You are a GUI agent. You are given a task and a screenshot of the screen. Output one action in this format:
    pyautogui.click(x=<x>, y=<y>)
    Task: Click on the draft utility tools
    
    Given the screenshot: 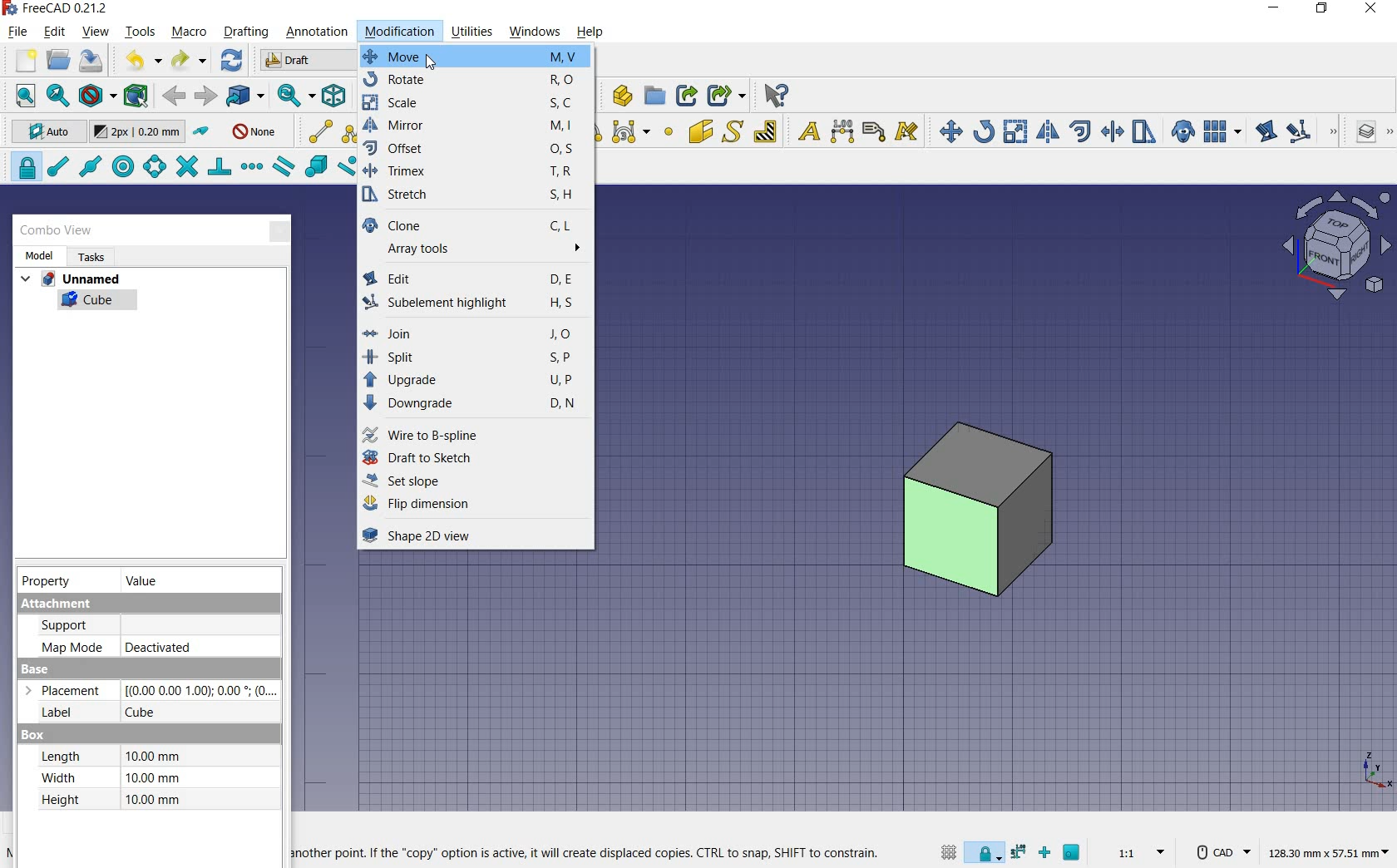 What is the action you would take?
    pyautogui.click(x=1390, y=133)
    